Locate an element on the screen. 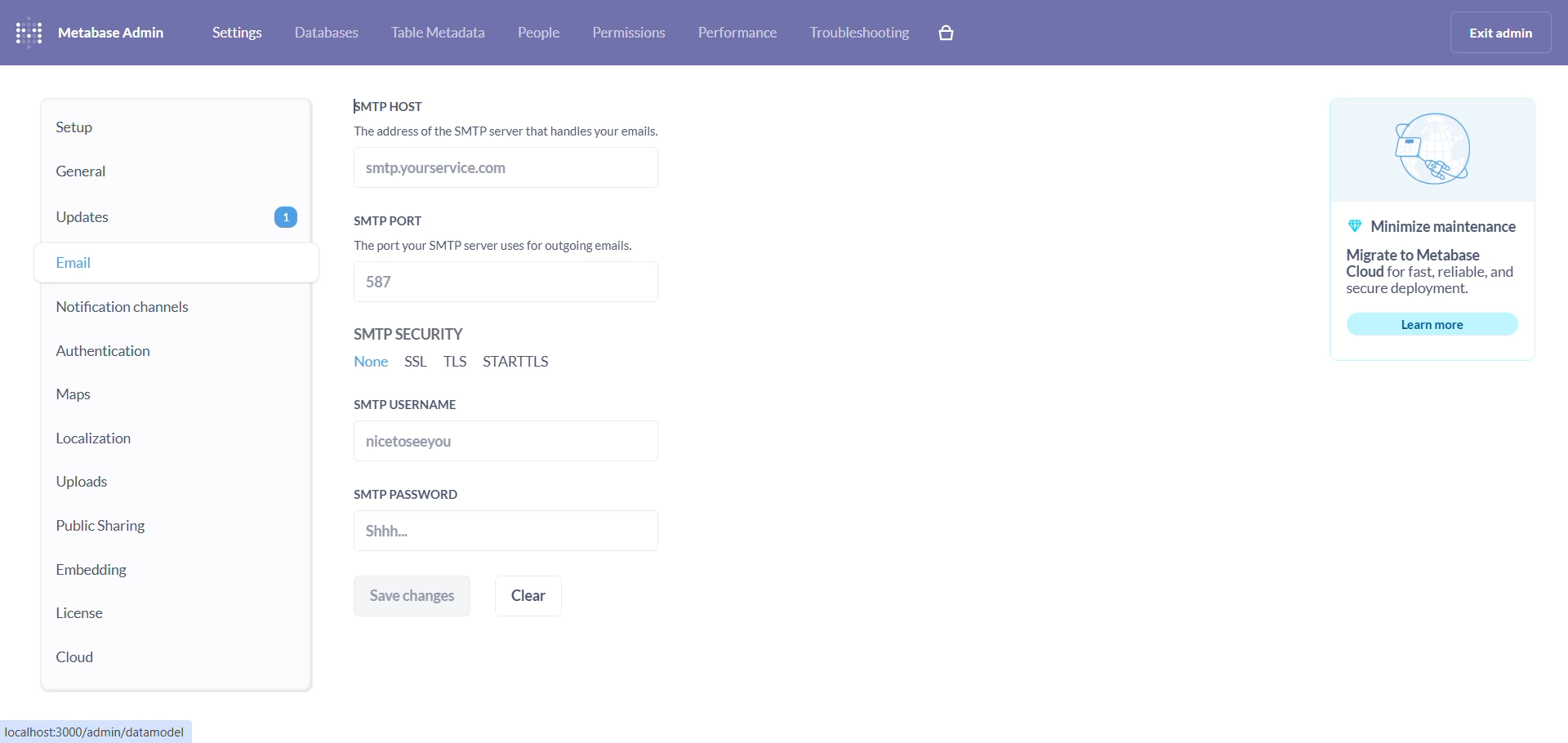  URL is located at coordinates (98, 732).